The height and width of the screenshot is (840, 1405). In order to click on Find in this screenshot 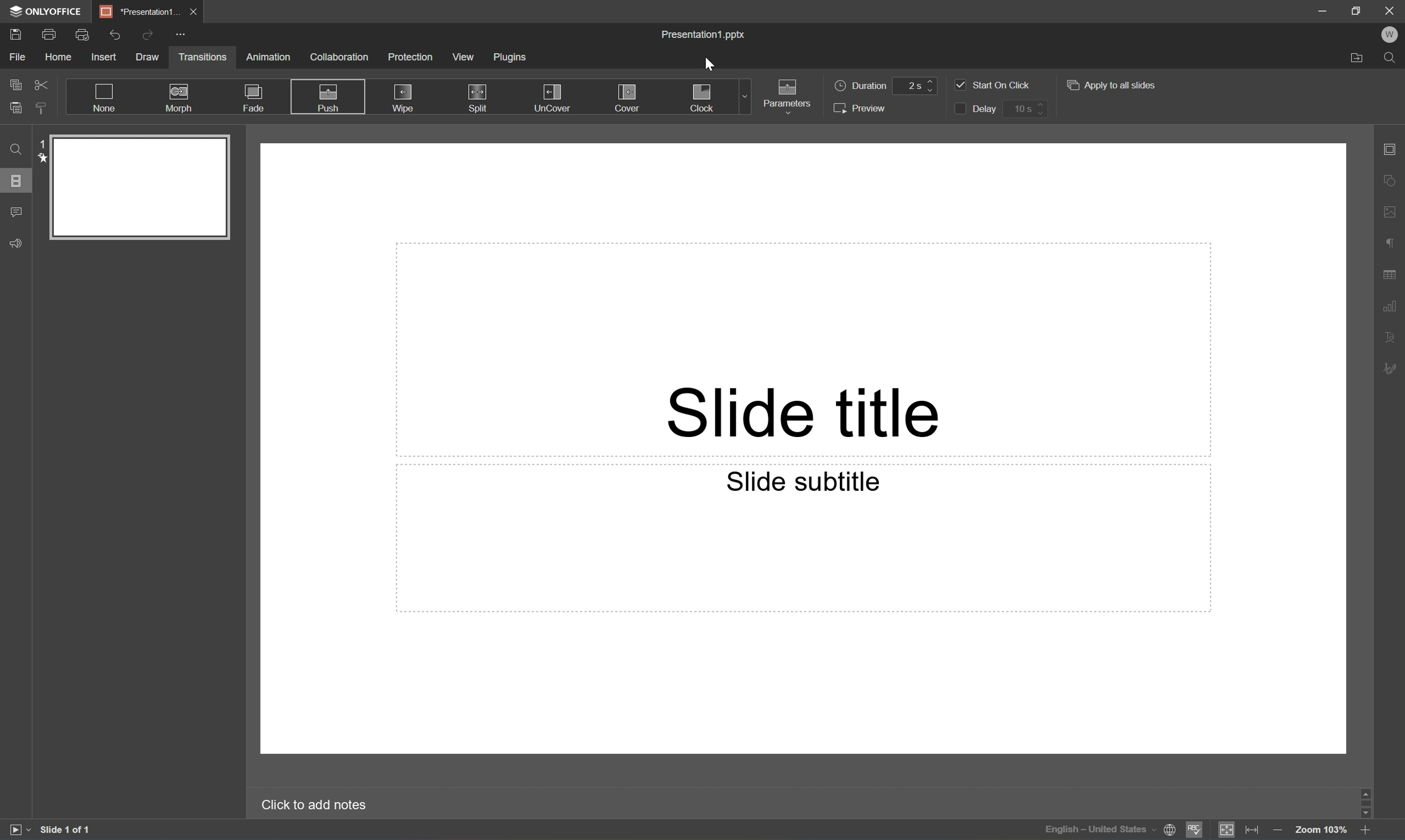, I will do `click(1392, 58)`.